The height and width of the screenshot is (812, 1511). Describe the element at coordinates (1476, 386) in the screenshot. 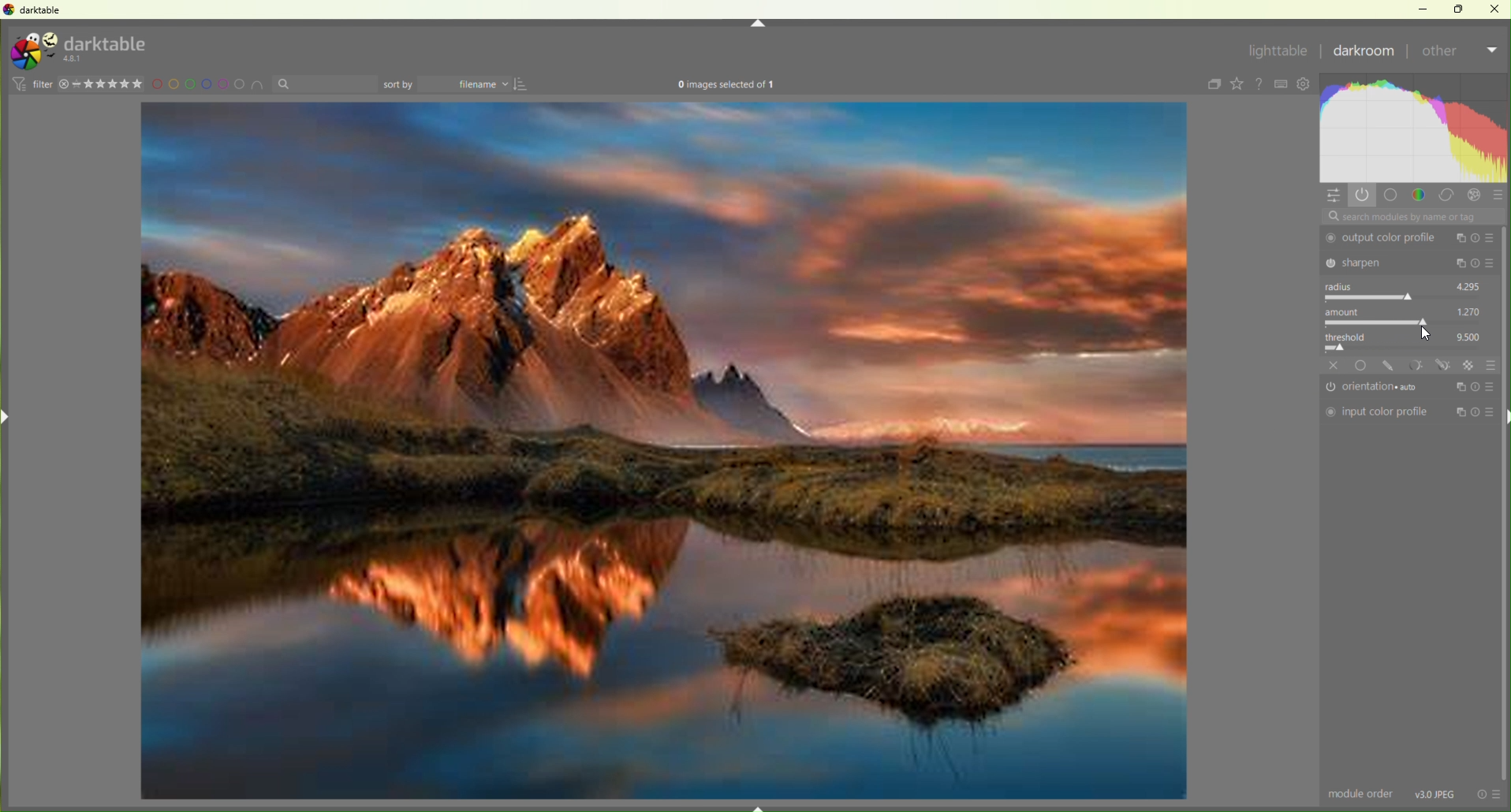

I see `copy, reset and presets` at that location.